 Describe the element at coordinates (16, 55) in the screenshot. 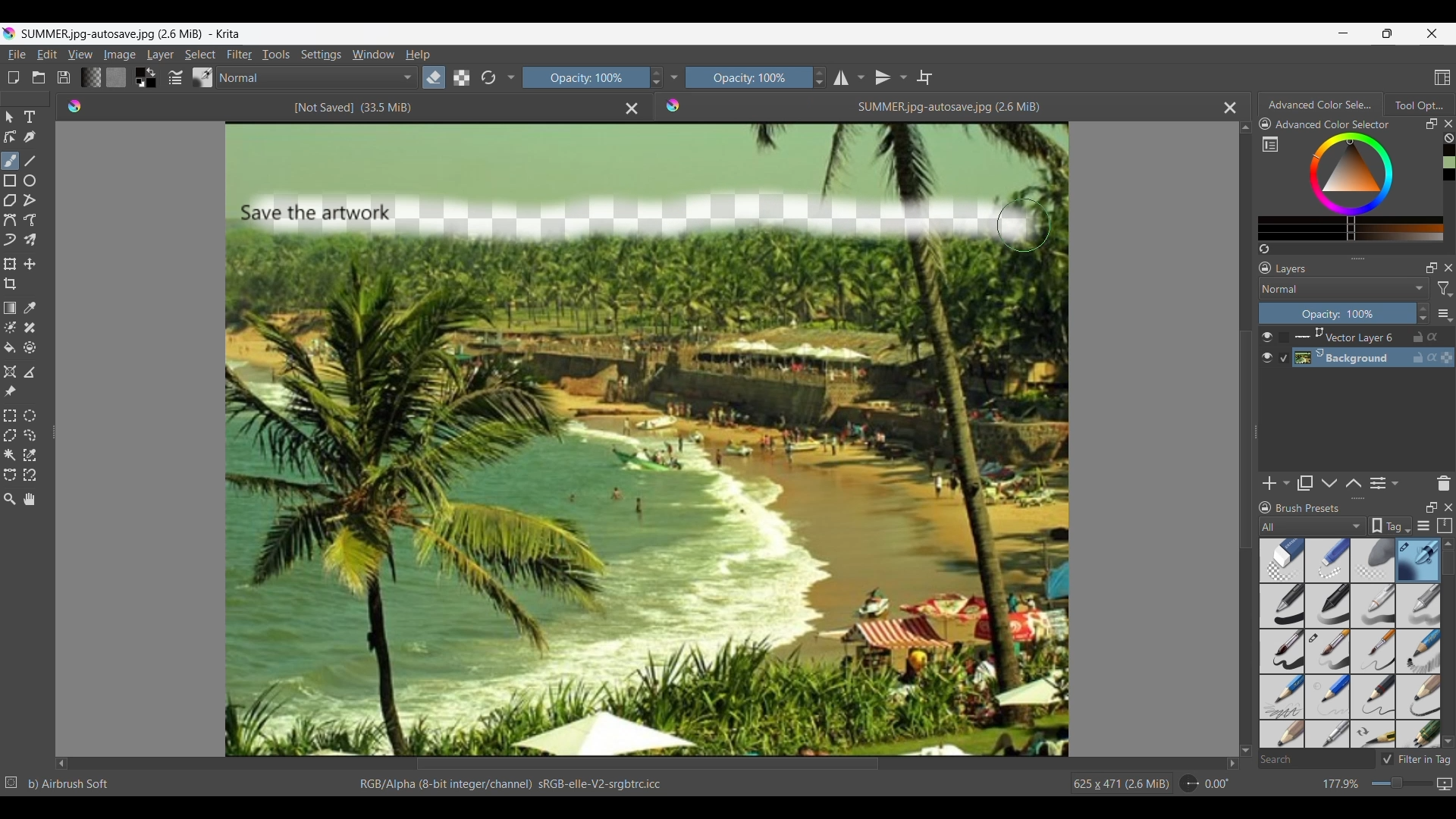

I see `File` at that location.